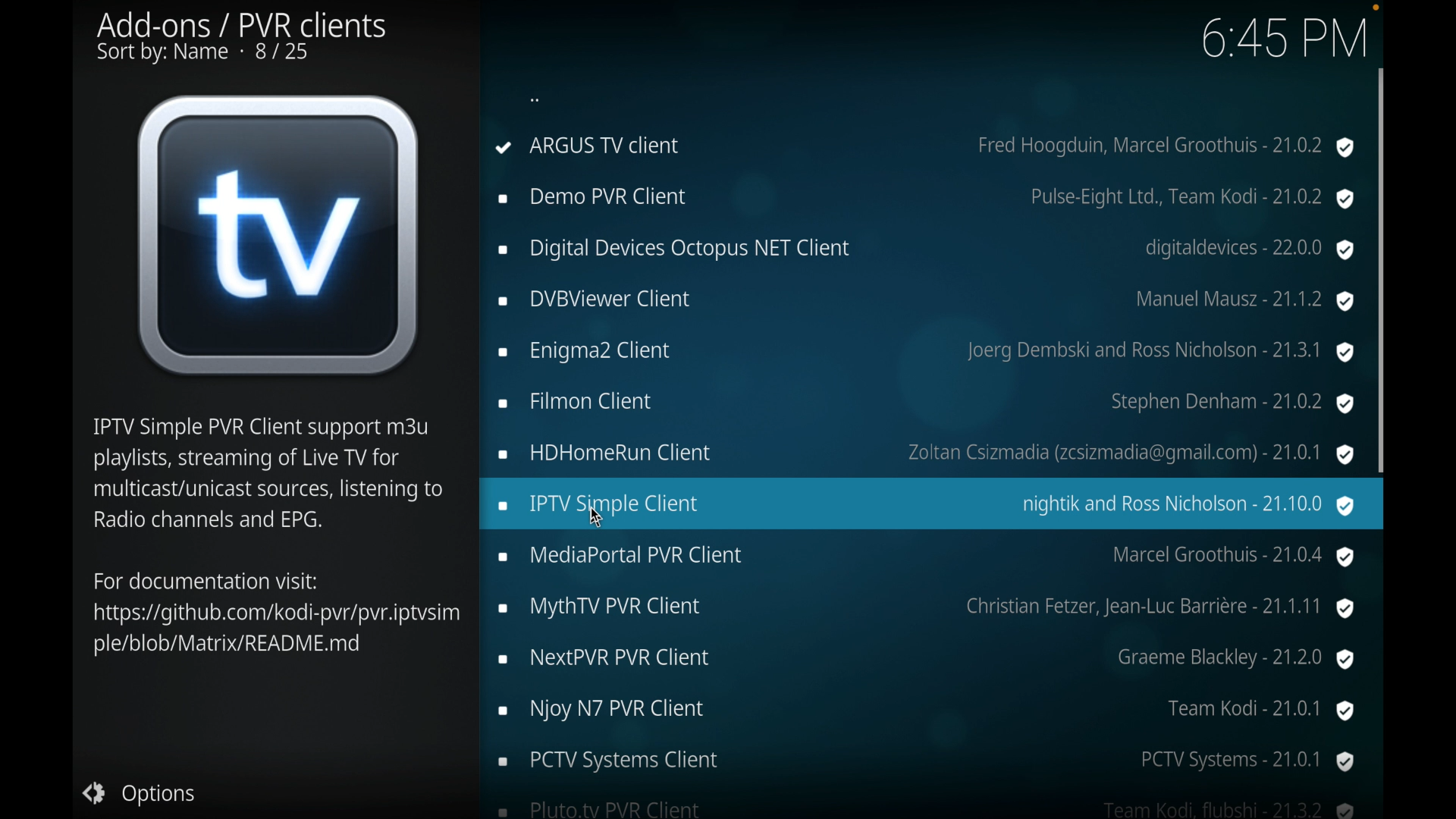 The image size is (1456, 819). I want to click on mythtv PVR client, so click(930, 609).